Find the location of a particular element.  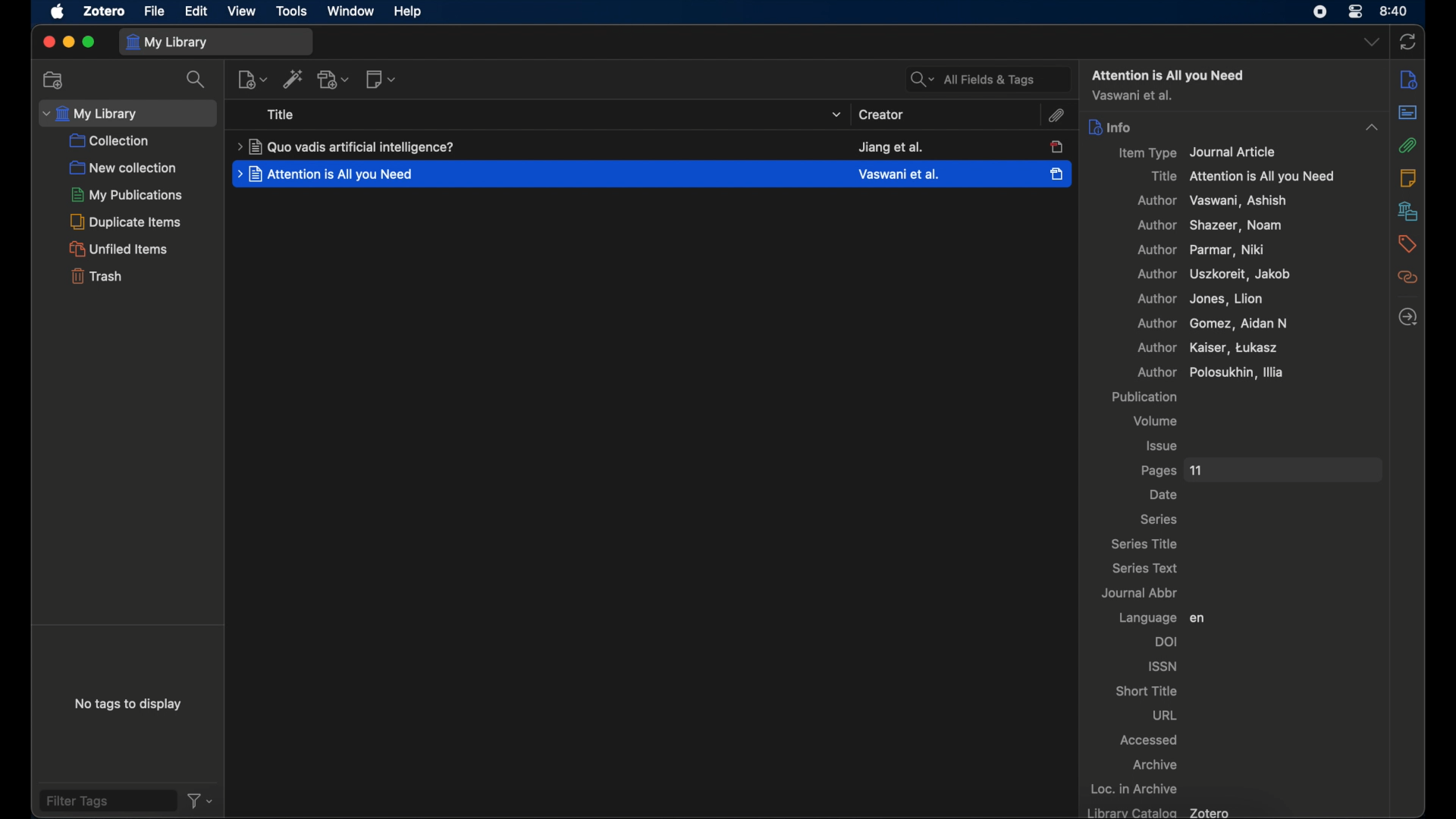

my publications is located at coordinates (124, 195).